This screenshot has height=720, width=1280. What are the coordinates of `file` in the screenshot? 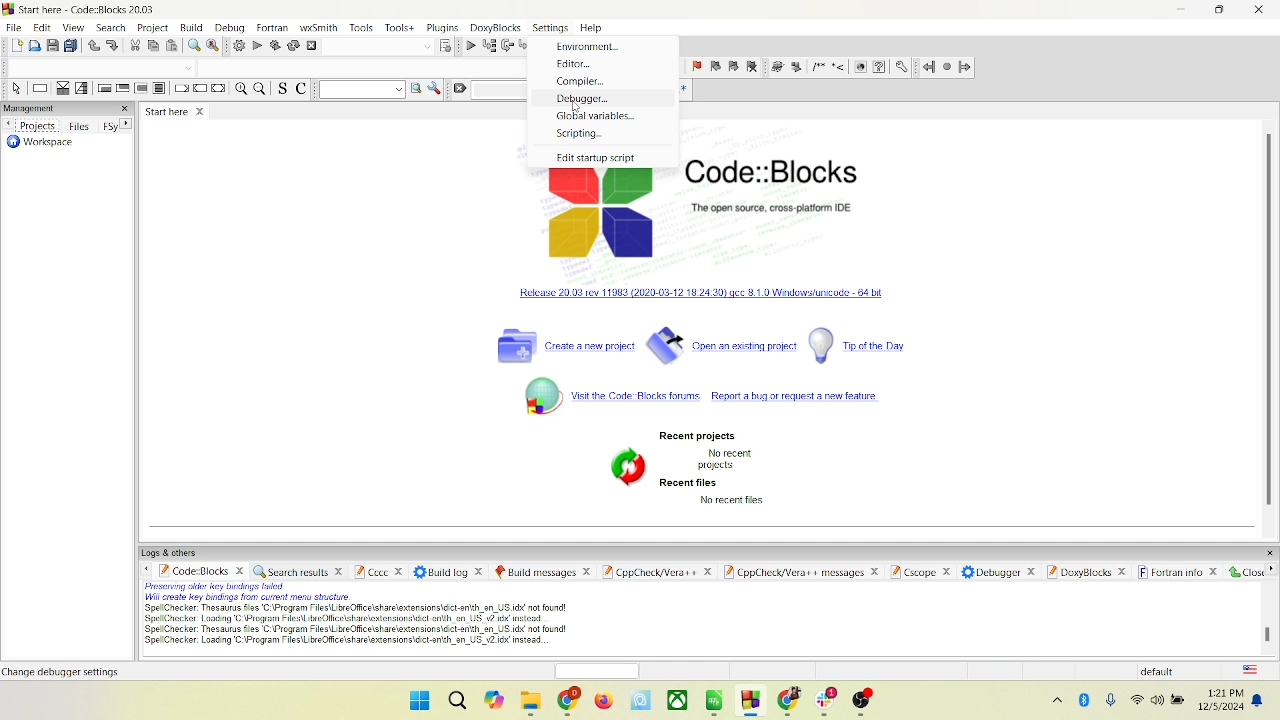 It's located at (16, 27).